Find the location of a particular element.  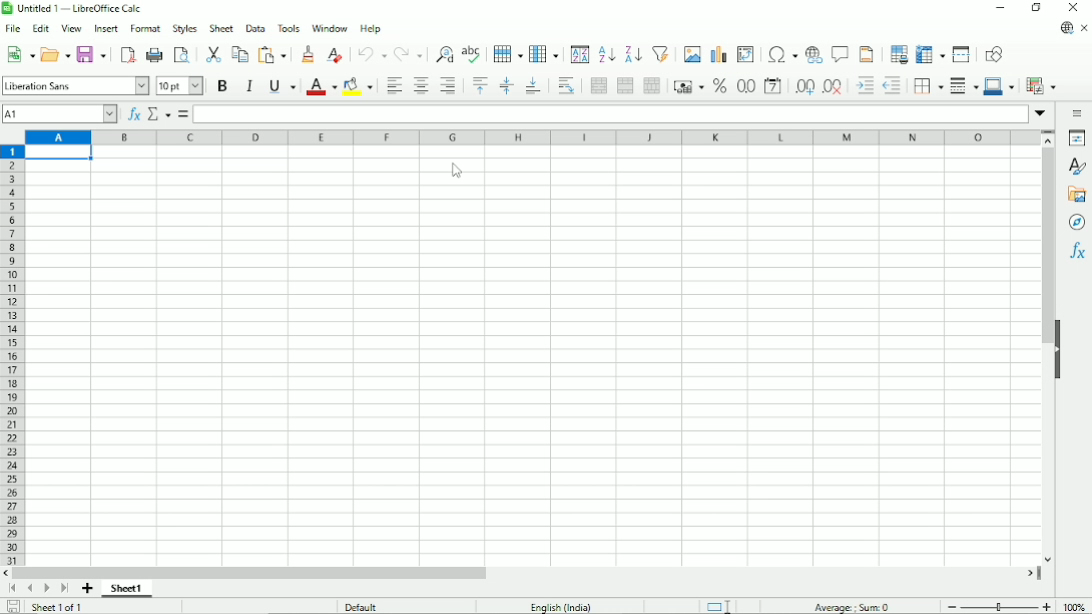

Decrease indent is located at coordinates (892, 86).